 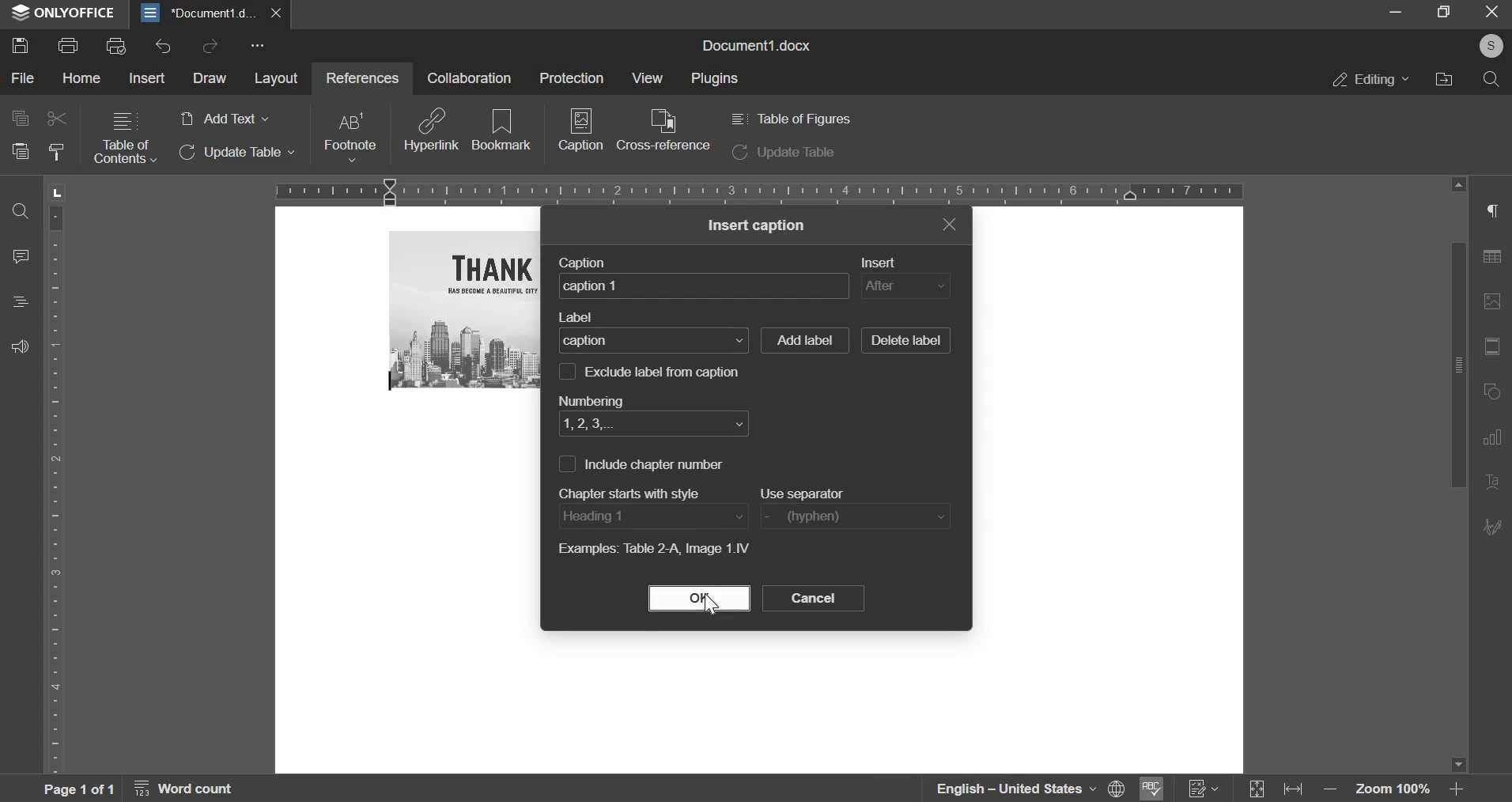 I want to click on paste, so click(x=19, y=151).